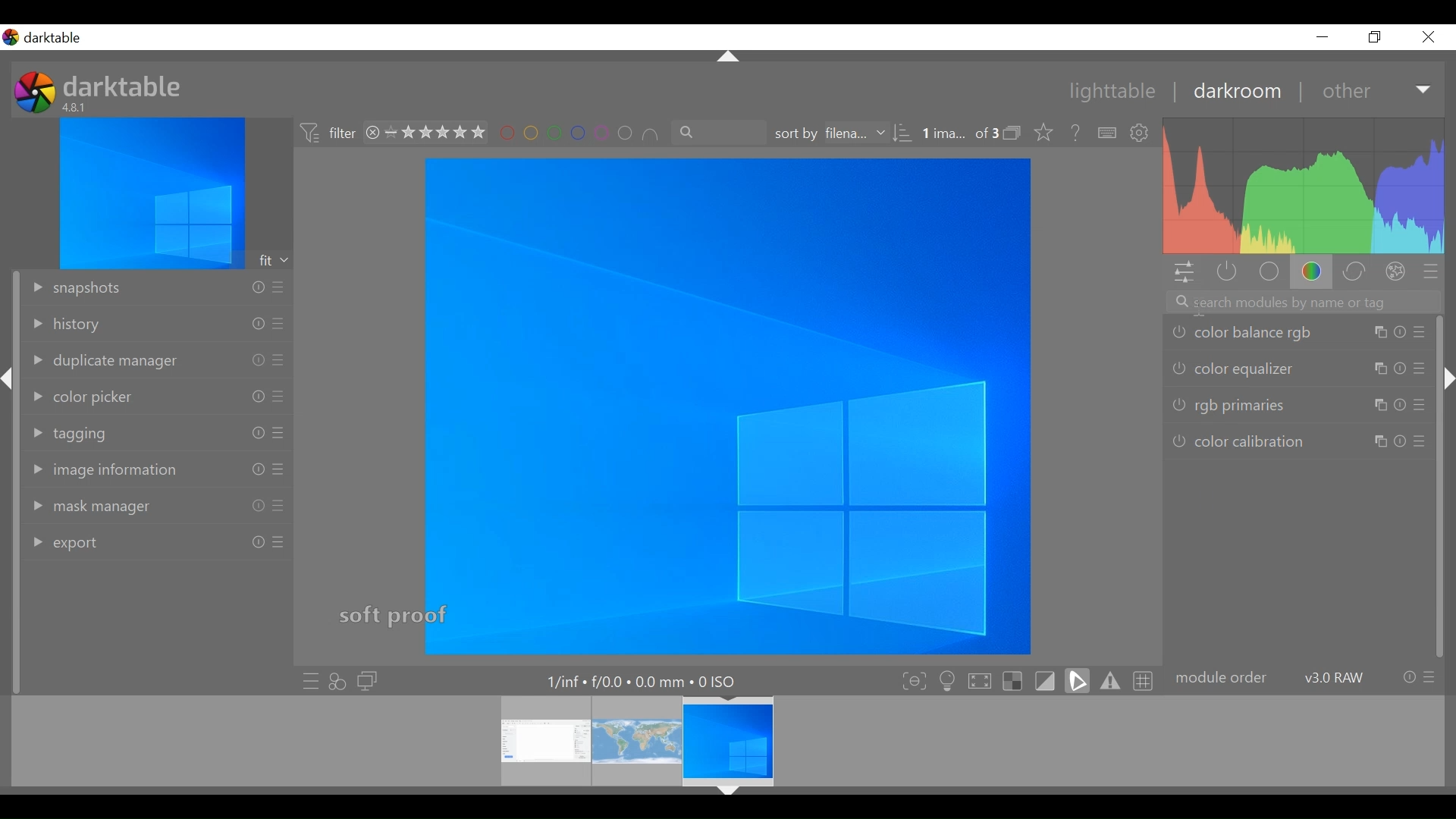 The height and width of the screenshot is (819, 1456). What do you see at coordinates (125, 85) in the screenshot?
I see `darktable` at bounding box center [125, 85].